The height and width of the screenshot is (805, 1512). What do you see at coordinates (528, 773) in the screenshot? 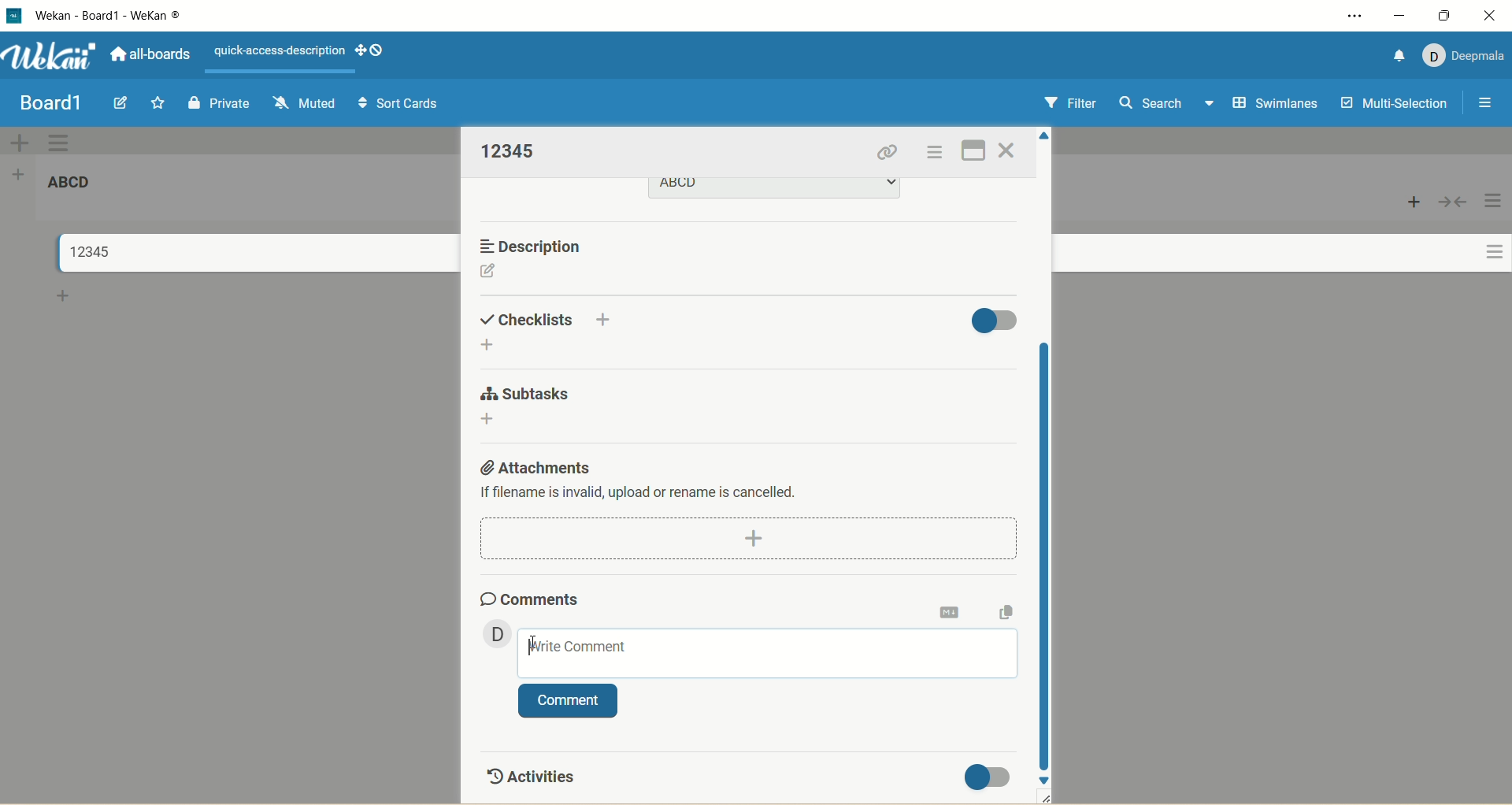
I see `activities` at bounding box center [528, 773].